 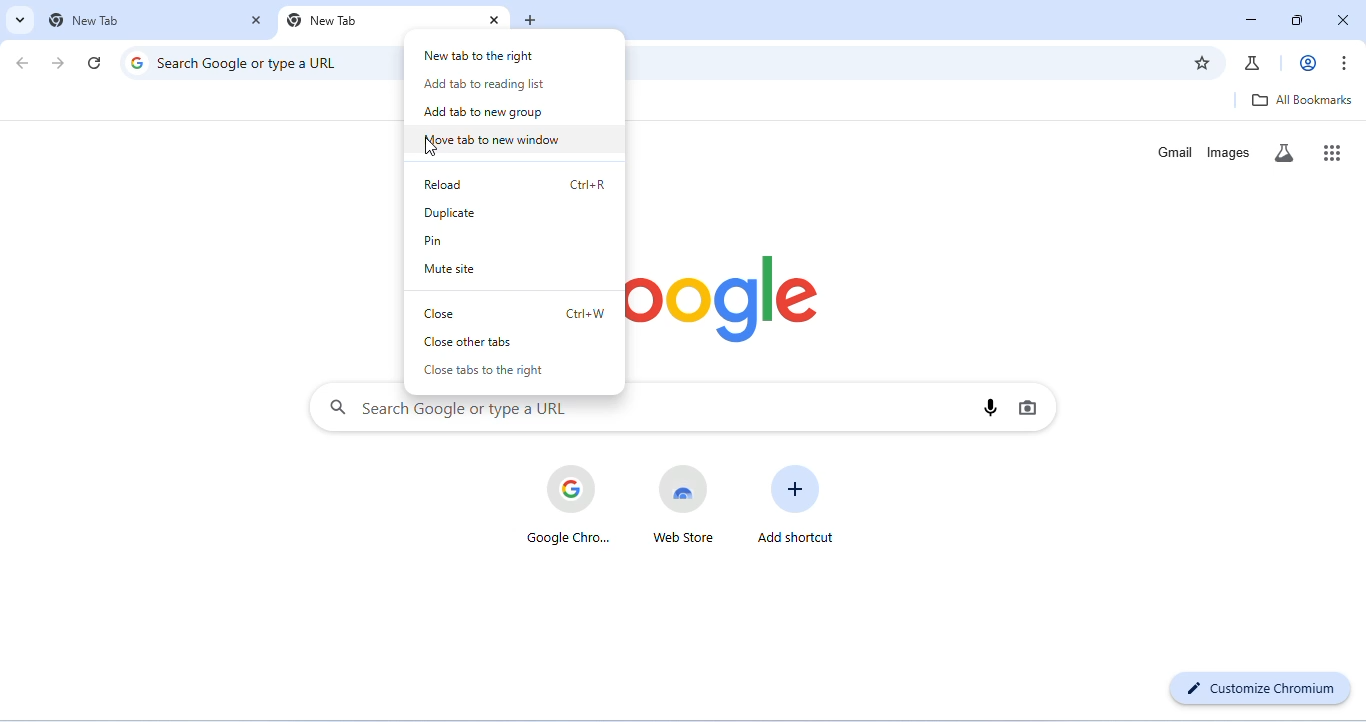 I want to click on google chrome , so click(x=568, y=504).